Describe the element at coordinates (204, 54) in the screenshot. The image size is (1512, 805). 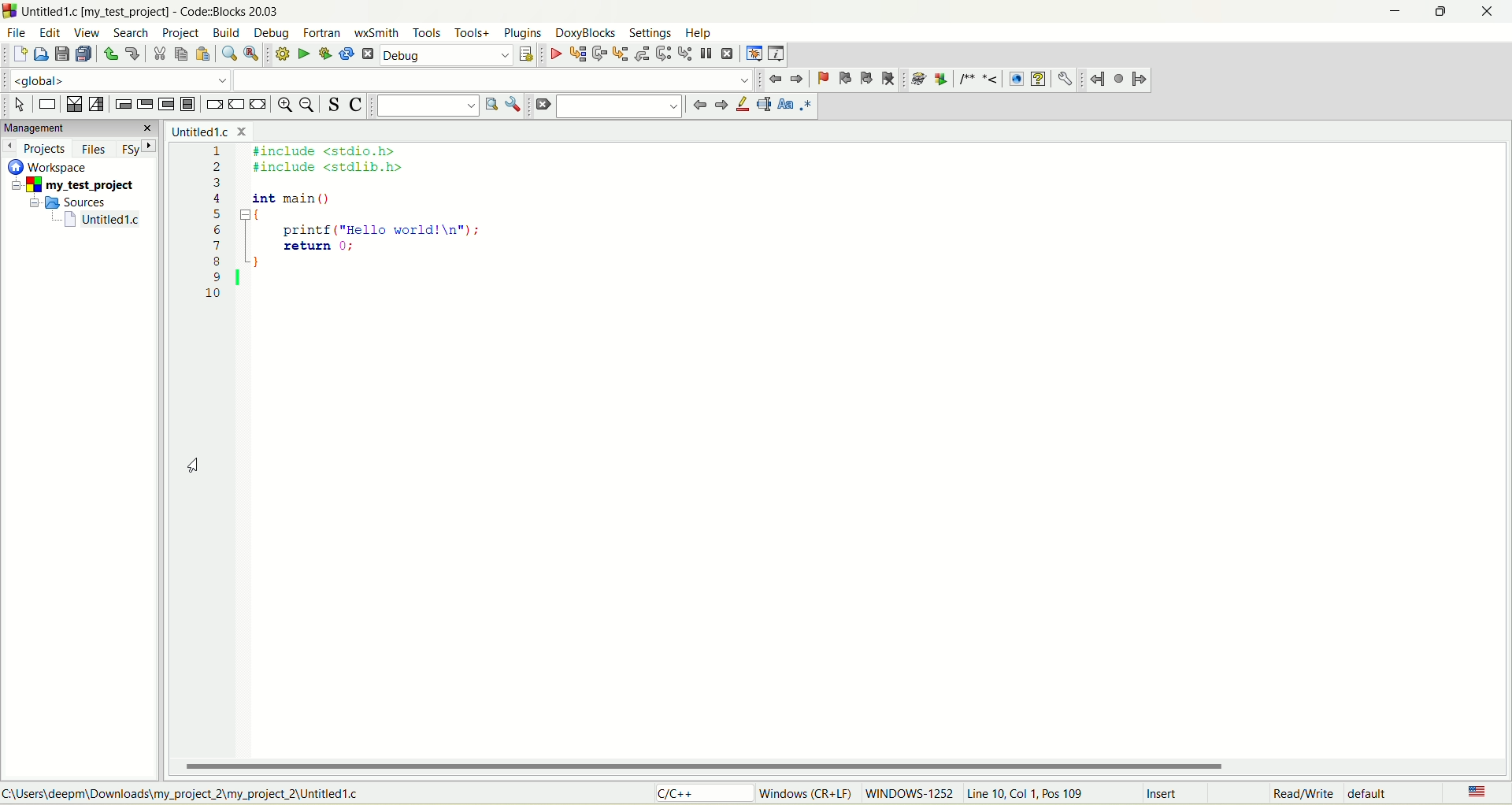
I see `paste` at that location.